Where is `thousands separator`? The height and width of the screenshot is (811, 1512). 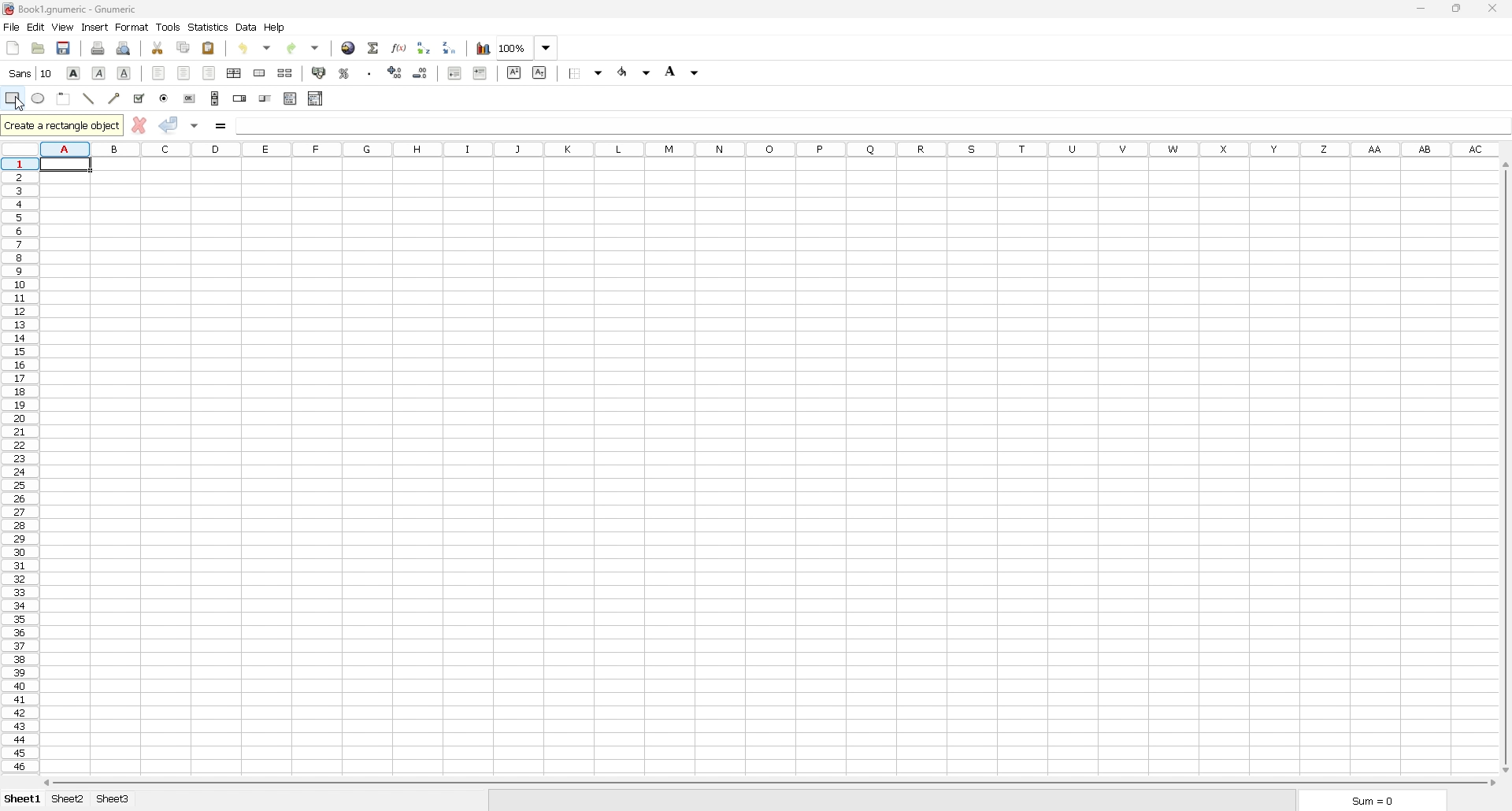 thousands separator is located at coordinates (370, 72).